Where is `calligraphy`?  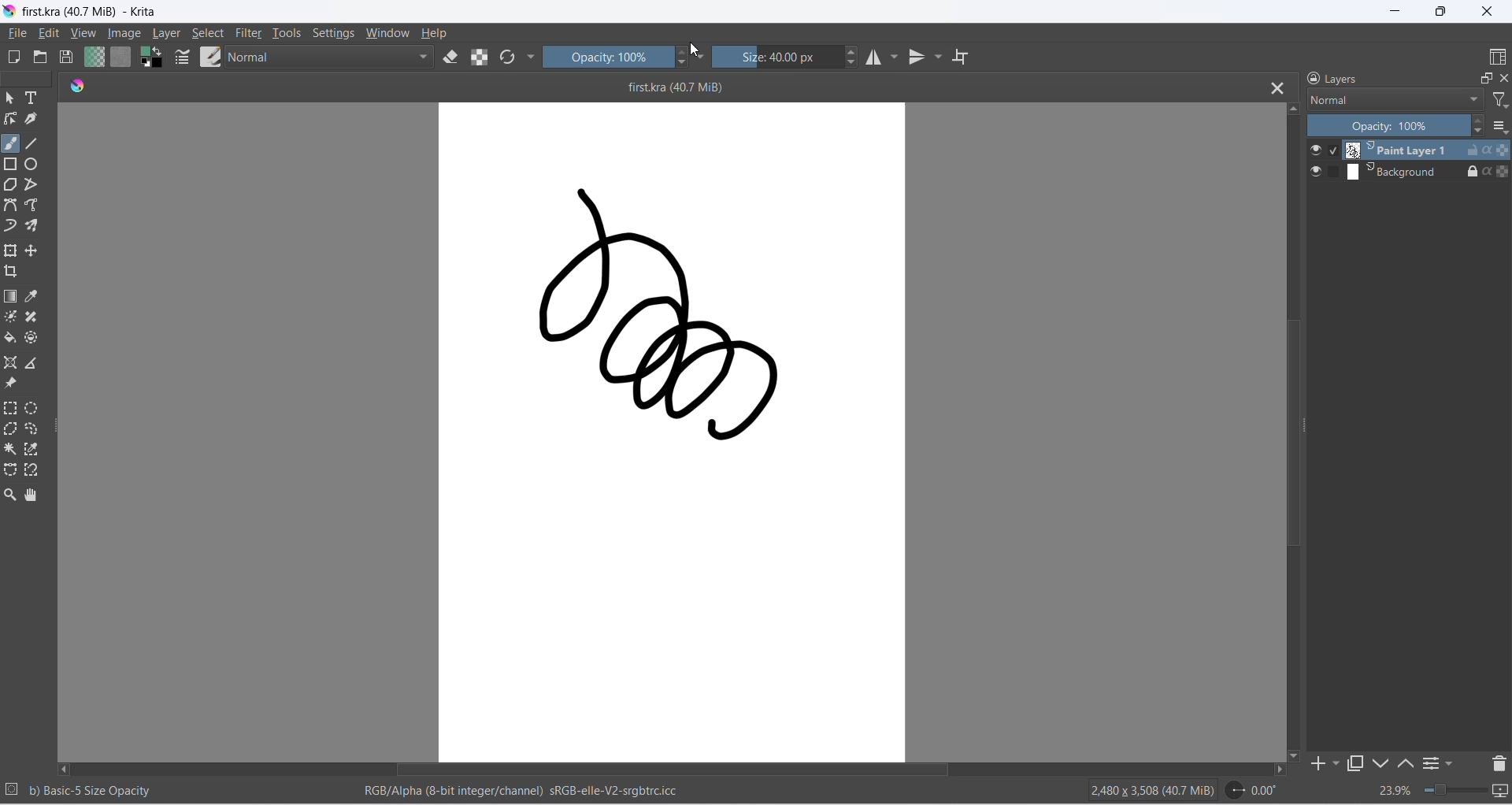
calligraphy is located at coordinates (32, 118).